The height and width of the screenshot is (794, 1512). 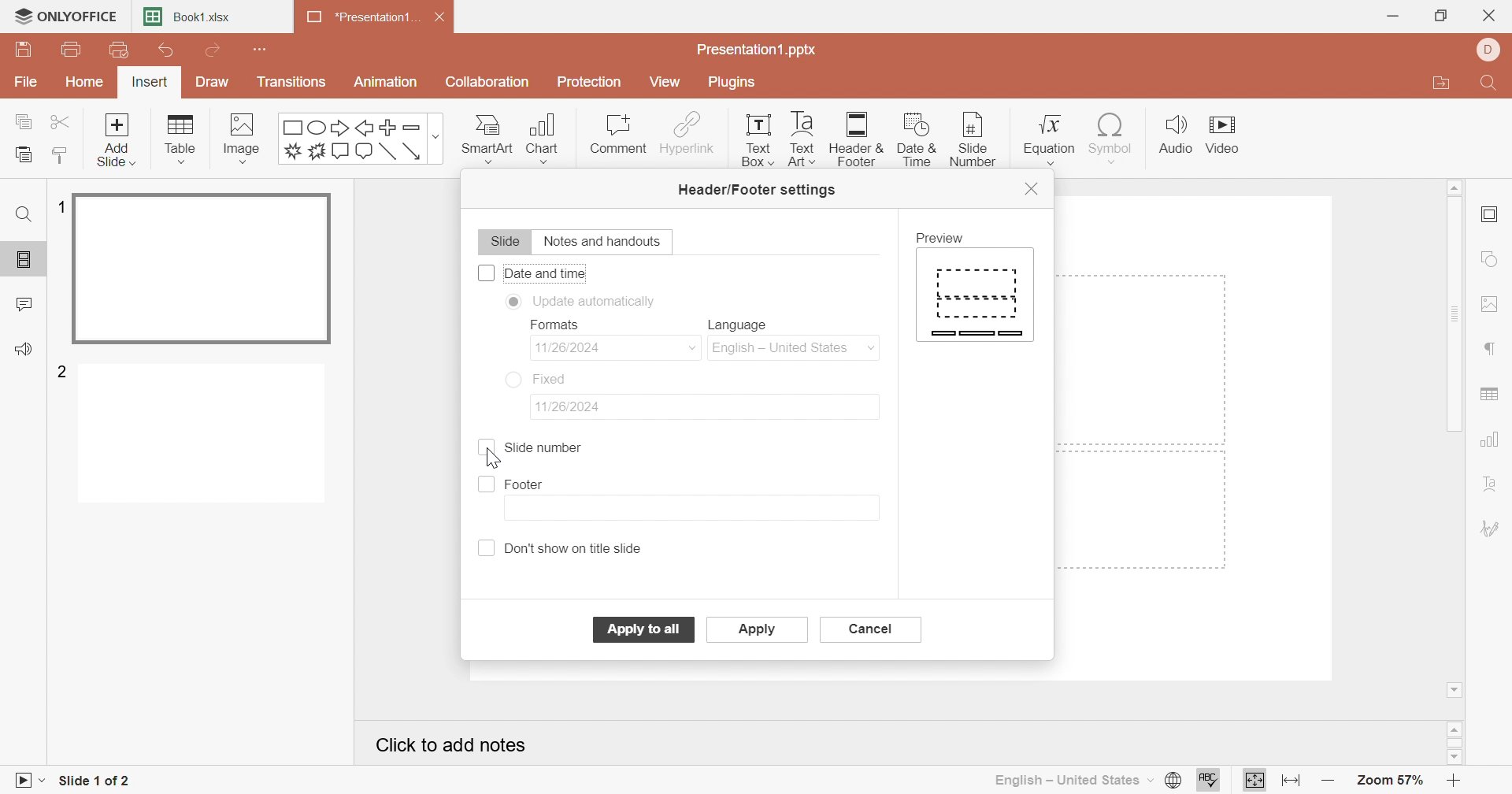 What do you see at coordinates (547, 273) in the screenshot?
I see `Date and Time` at bounding box center [547, 273].